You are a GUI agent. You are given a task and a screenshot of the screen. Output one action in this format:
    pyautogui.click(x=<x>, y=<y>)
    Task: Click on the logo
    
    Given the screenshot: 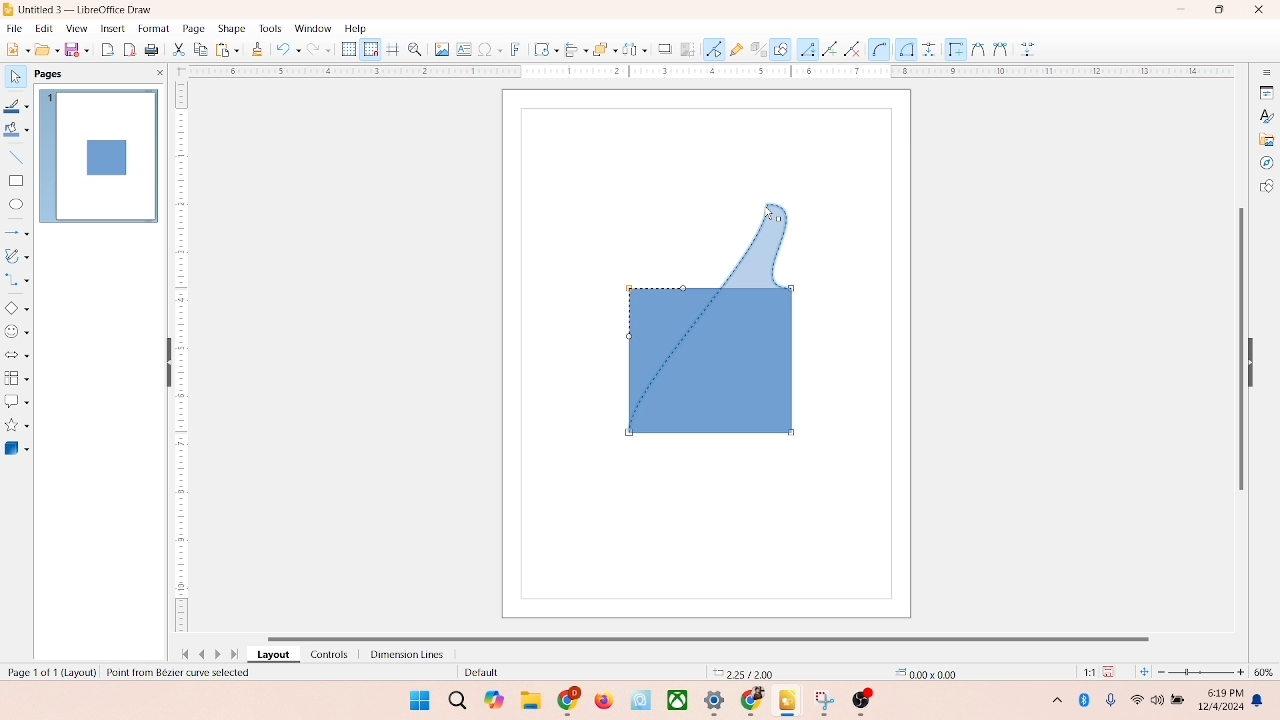 What is the action you would take?
    pyautogui.click(x=9, y=9)
    